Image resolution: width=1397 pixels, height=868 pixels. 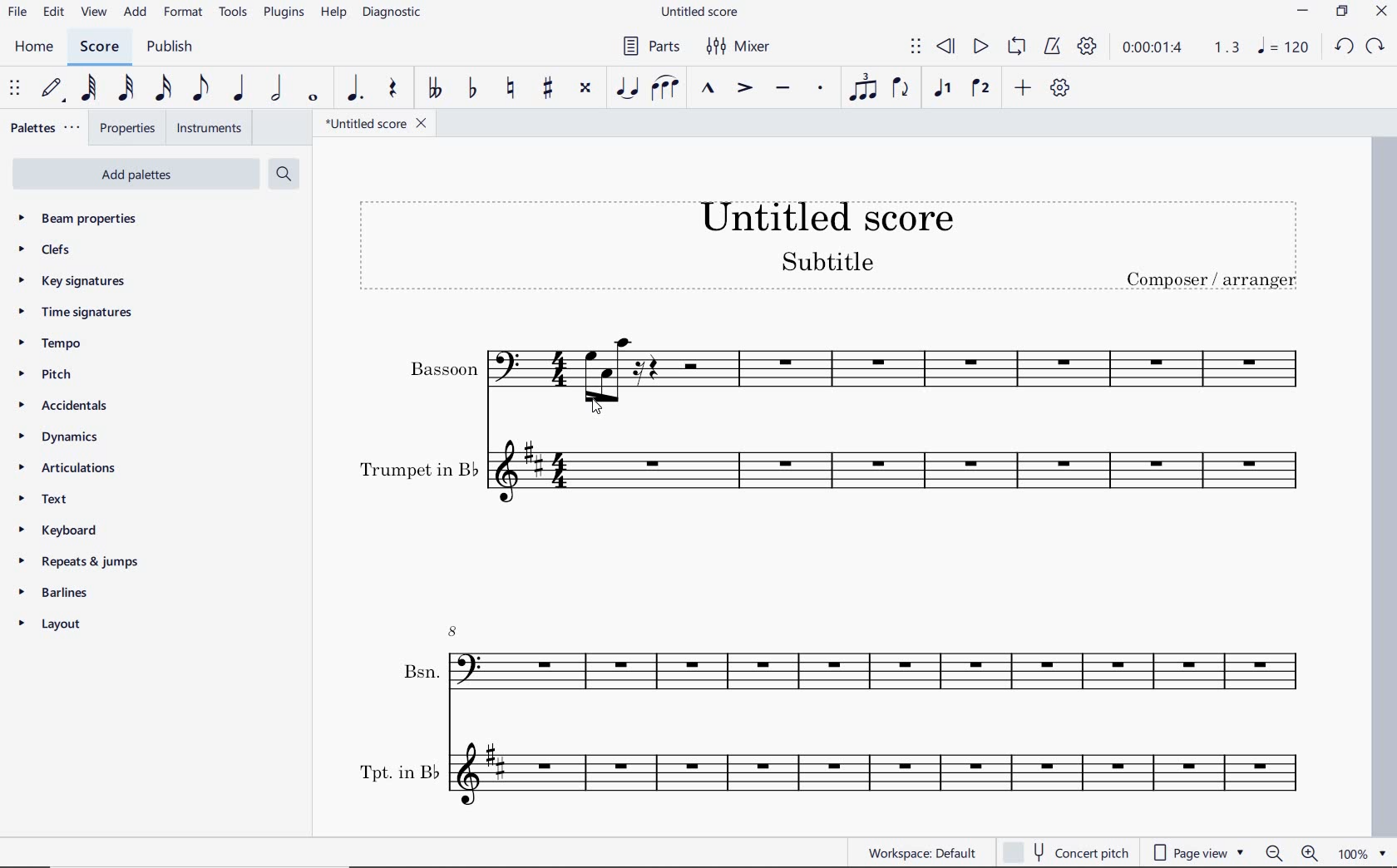 What do you see at coordinates (98, 46) in the screenshot?
I see `score` at bounding box center [98, 46].